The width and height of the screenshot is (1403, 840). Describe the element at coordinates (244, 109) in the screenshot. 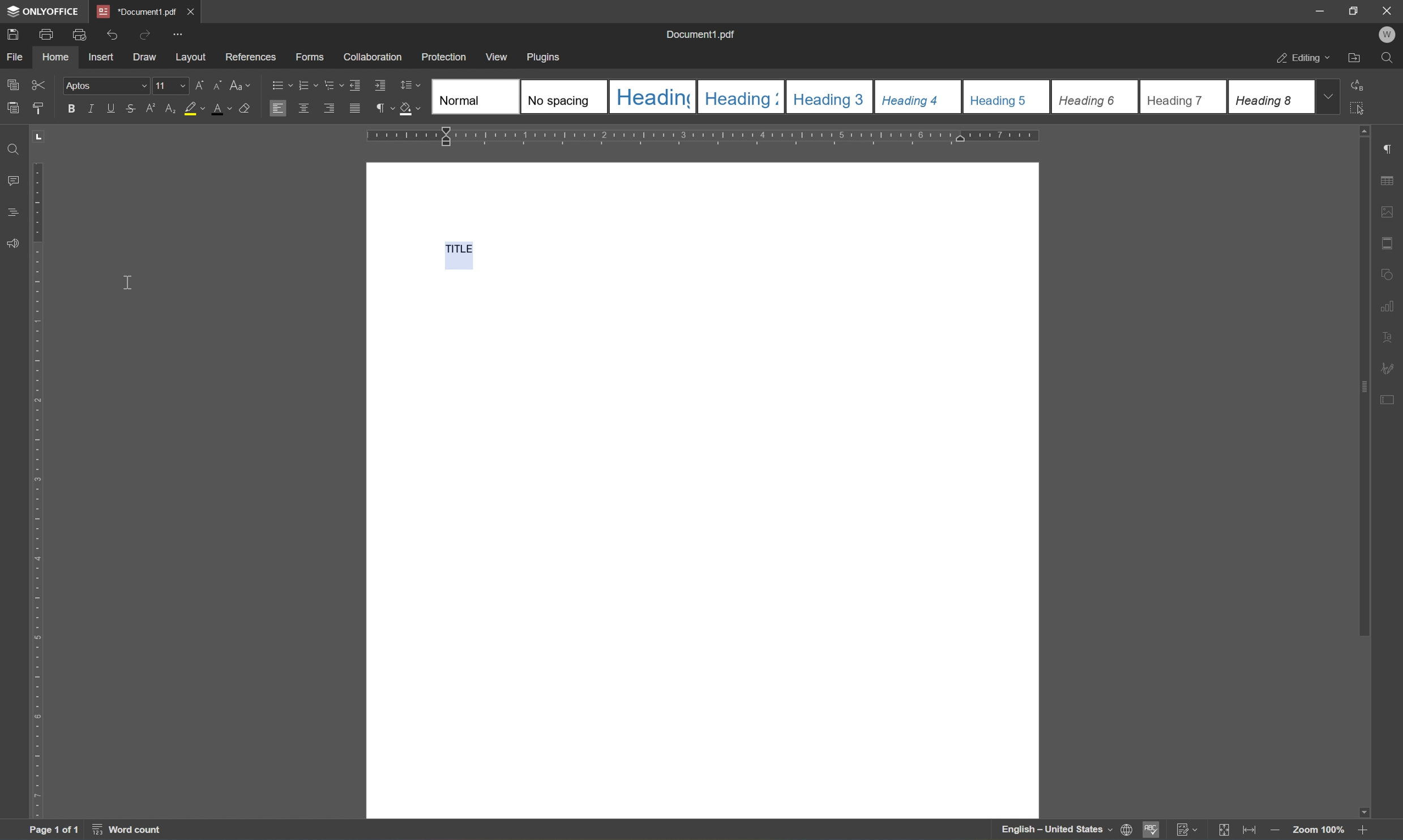

I see `clear style` at that location.